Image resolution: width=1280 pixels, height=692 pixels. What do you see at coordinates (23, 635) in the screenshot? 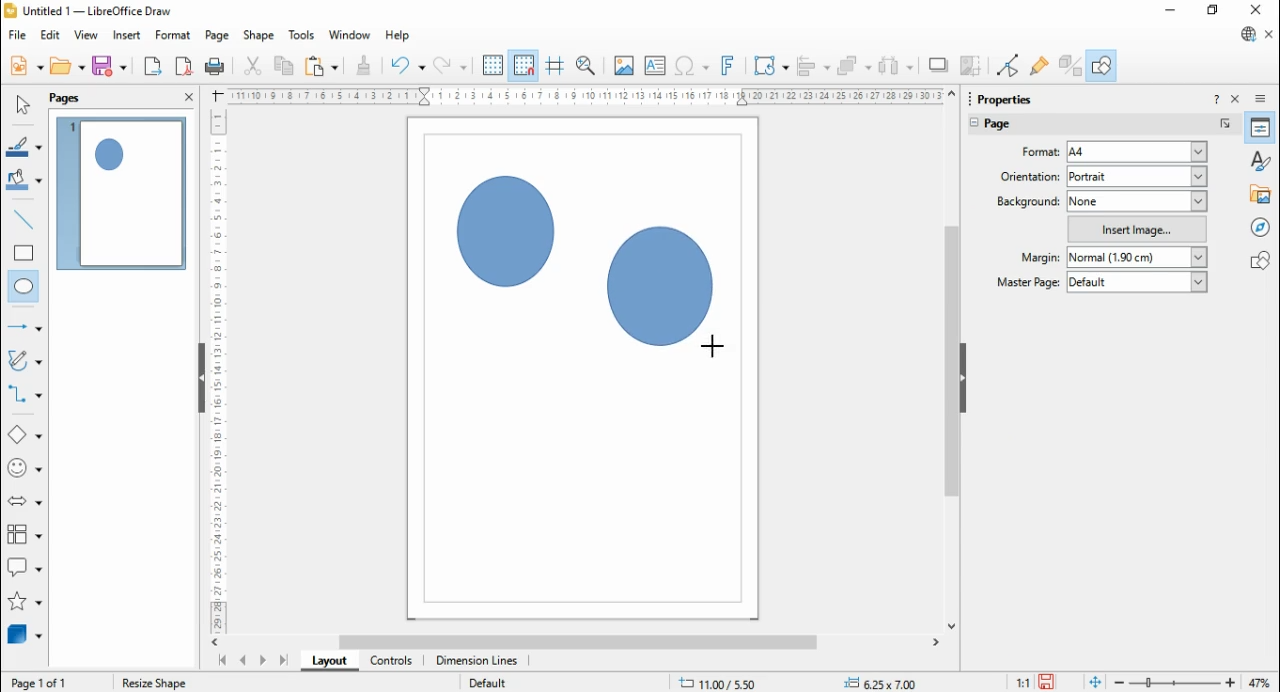
I see `3D Objects` at bounding box center [23, 635].